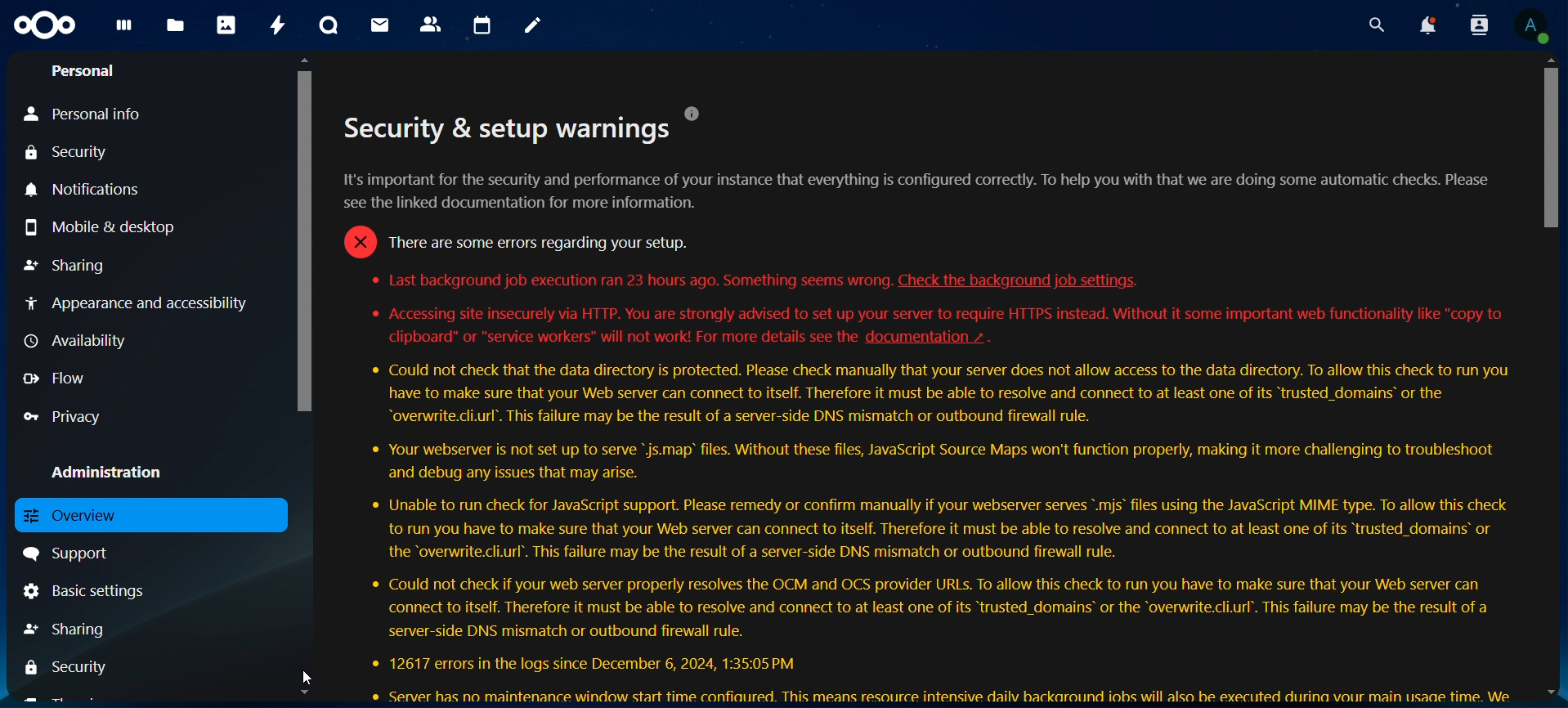 The image size is (1568, 708). What do you see at coordinates (76, 341) in the screenshot?
I see `availability` at bounding box center [76, 341].